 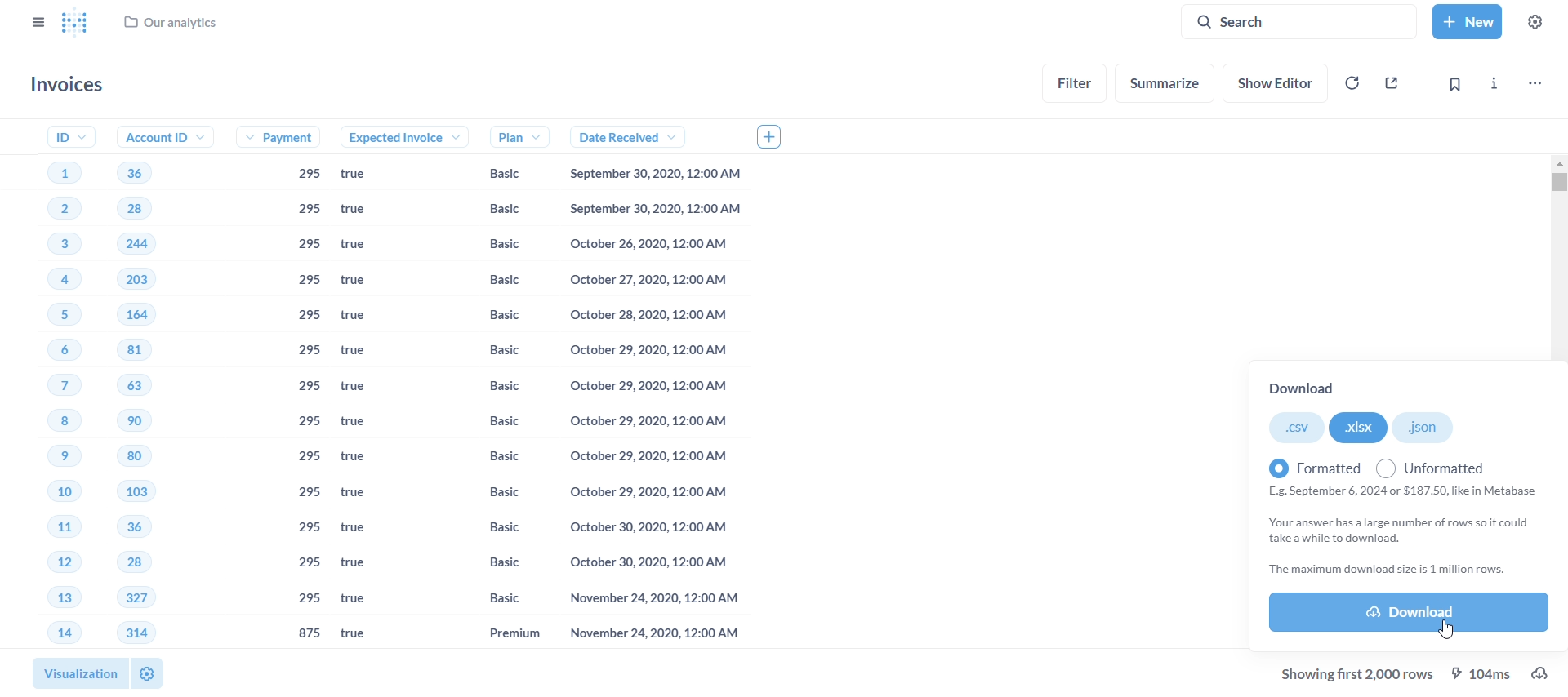 What do you see at coordinates (140, 350) in the screenshot?
I see `81` at bounding box center [140, 350].